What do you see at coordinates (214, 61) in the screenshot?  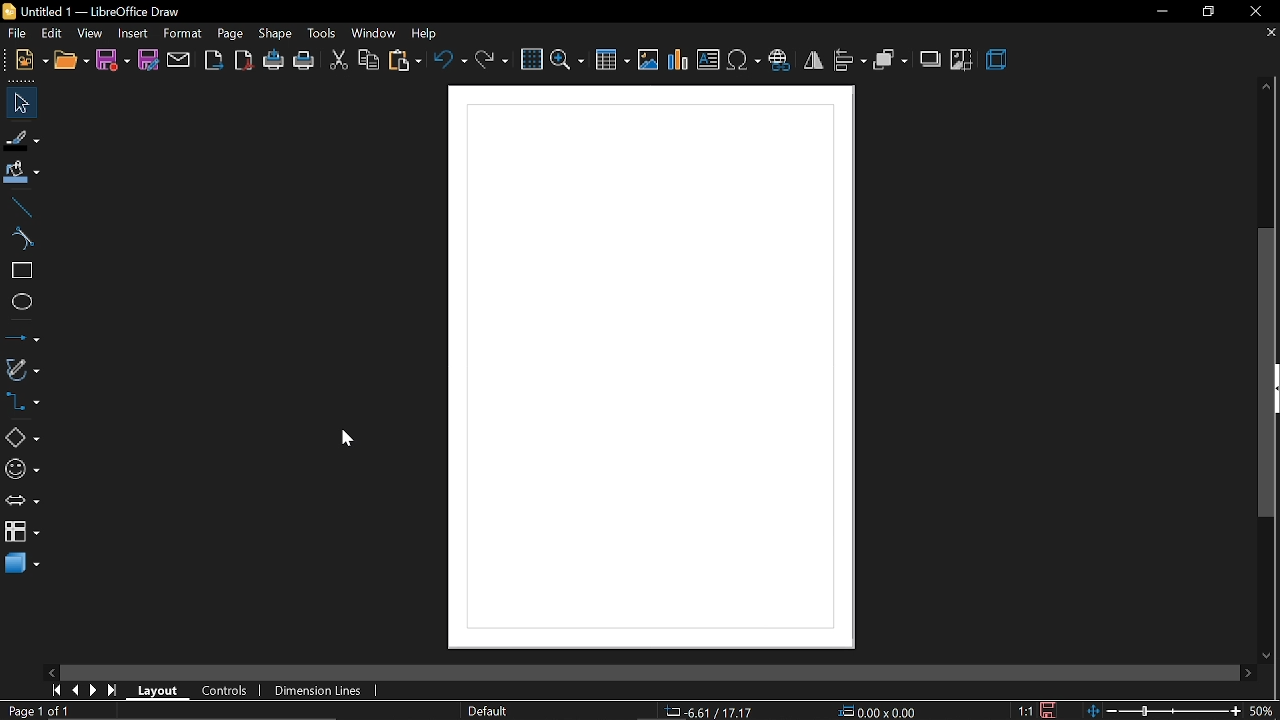 I see `export` at bounding box center [214, 61].